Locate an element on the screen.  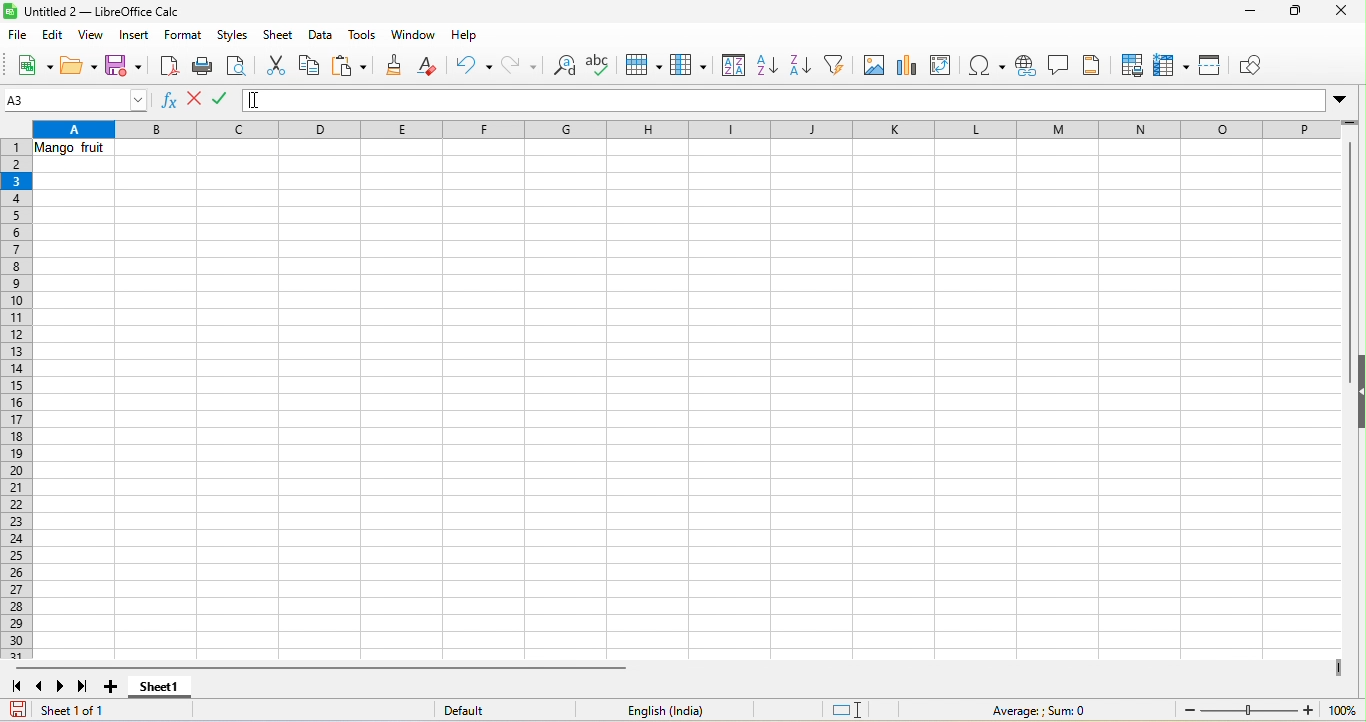
window is located at coordinates (412, 34).